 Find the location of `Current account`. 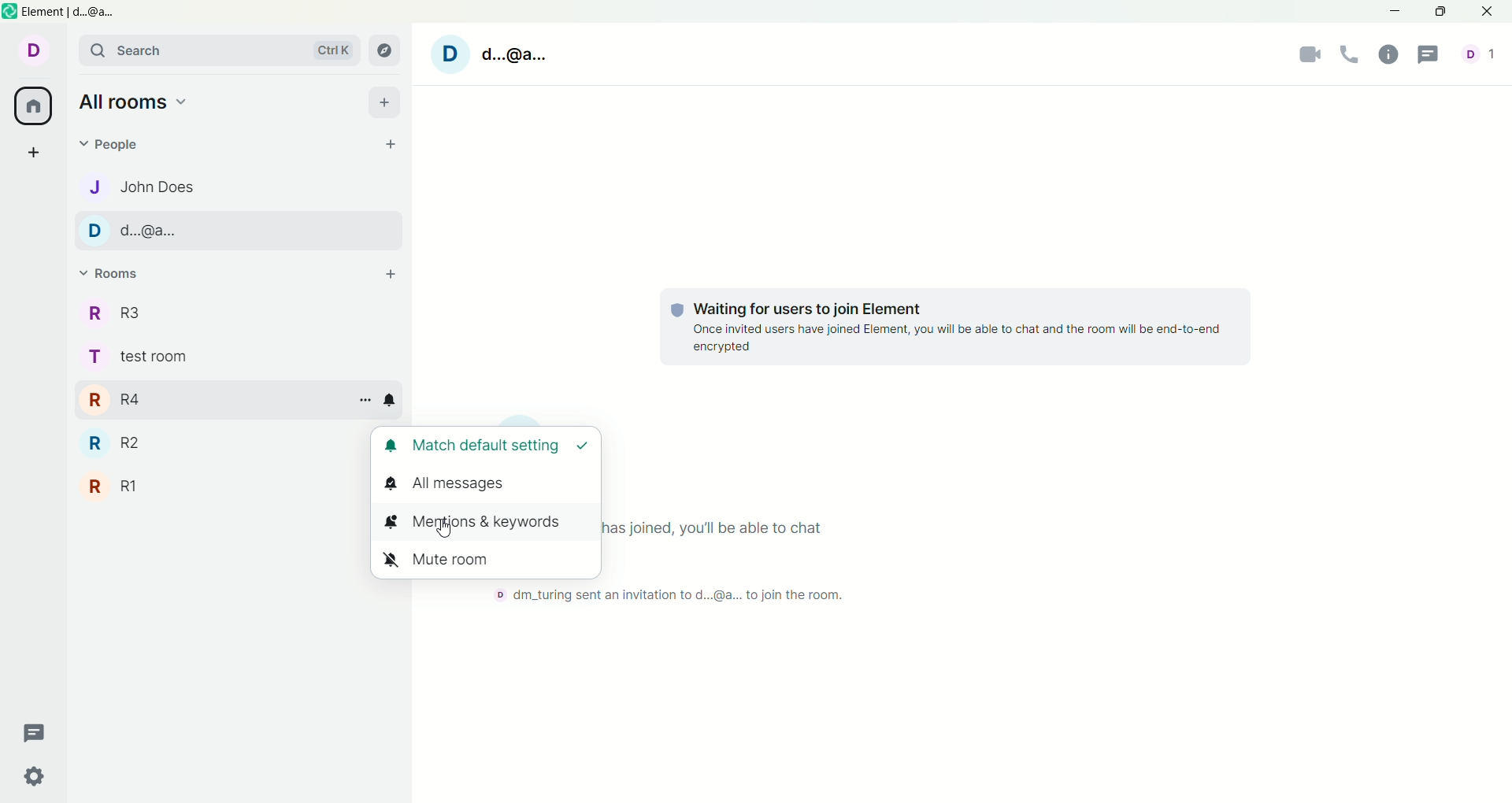

Current account is located at coordinates (31, 50).